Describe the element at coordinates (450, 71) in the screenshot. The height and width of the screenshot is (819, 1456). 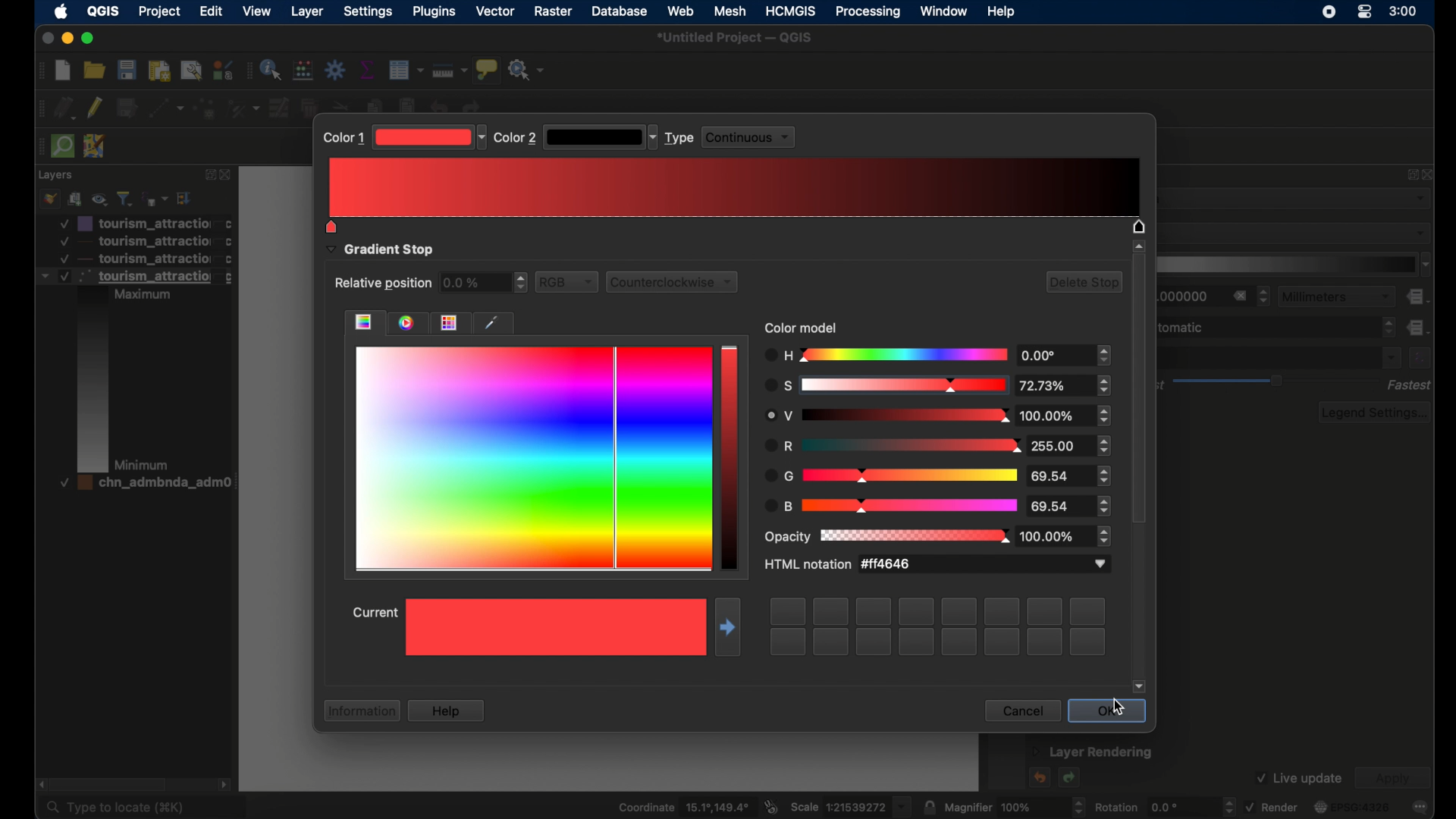
I see `measure line` at that location.